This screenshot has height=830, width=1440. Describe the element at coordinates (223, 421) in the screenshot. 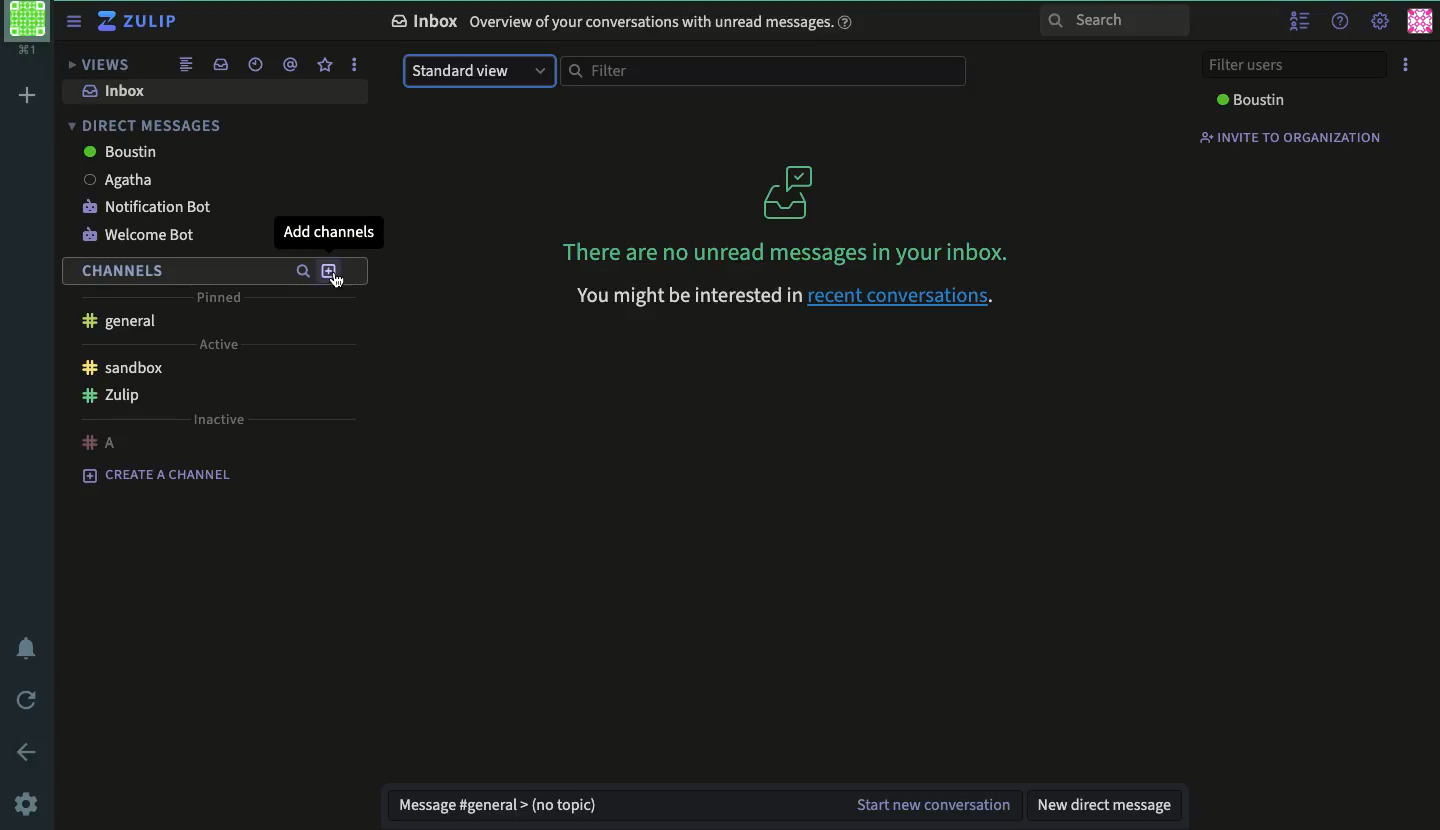

I see `inactive` at that location.